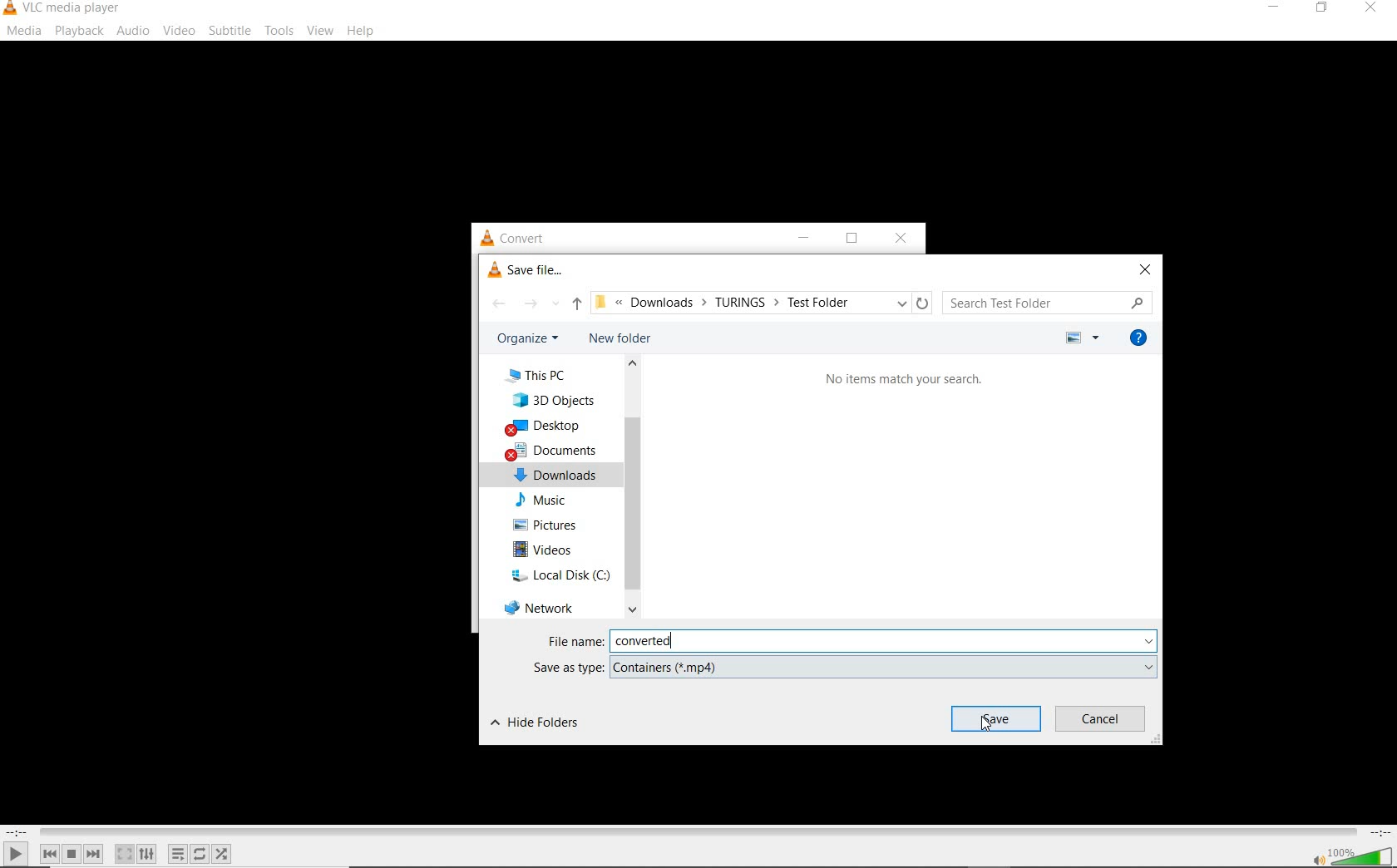 This screenshot has width=1397, height=868. What do you see at coordinates (526, 269) in the screenshot?
I see `save file` at bounding box center [526, 269].